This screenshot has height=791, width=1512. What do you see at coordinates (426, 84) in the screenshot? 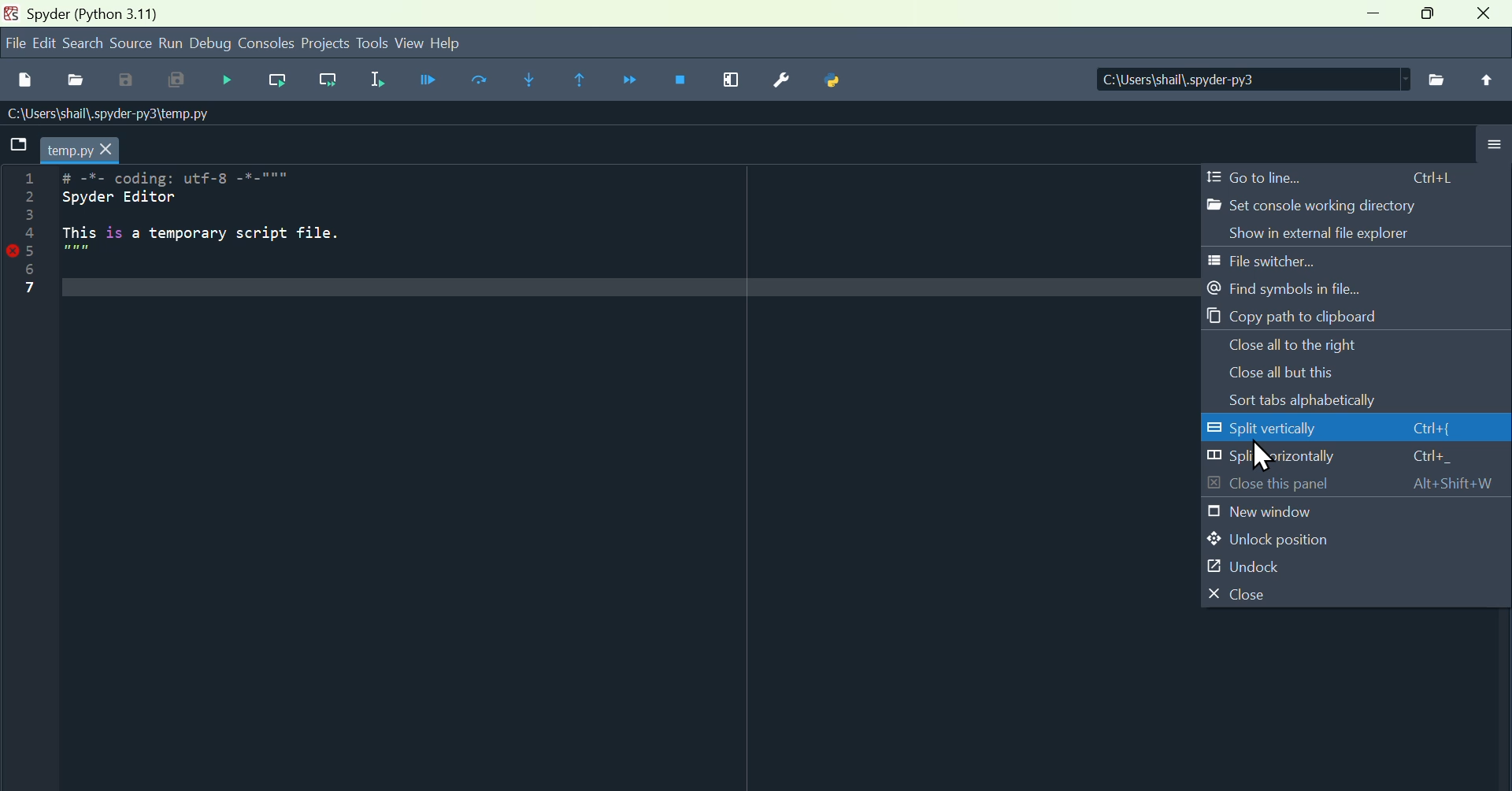
I see `Run file` at bounding box center [426, 84].